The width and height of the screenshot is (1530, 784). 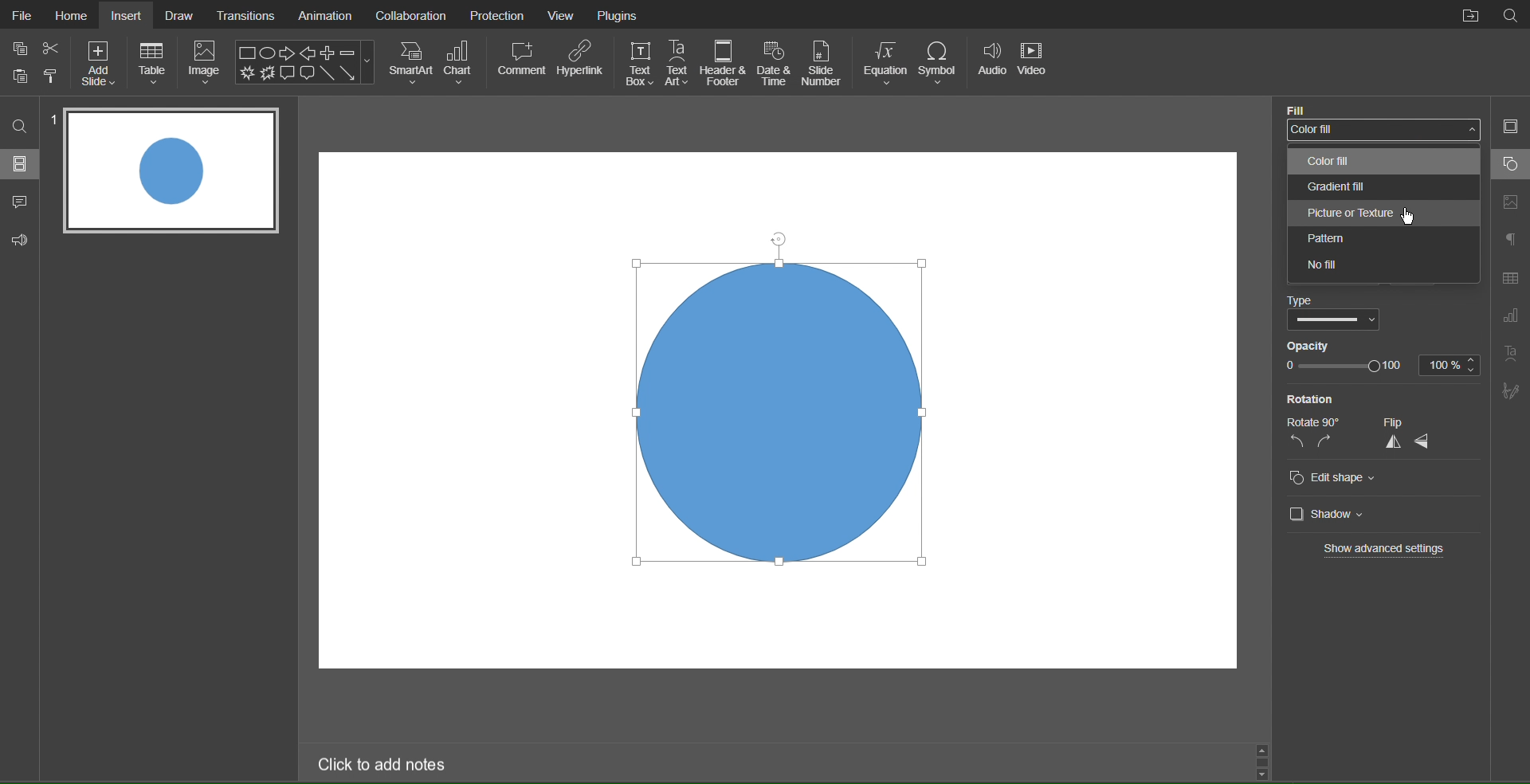 What do you see at coordinates (1300, 300) in the screenshot?
I see `type` at bounding box center [1300, 300].